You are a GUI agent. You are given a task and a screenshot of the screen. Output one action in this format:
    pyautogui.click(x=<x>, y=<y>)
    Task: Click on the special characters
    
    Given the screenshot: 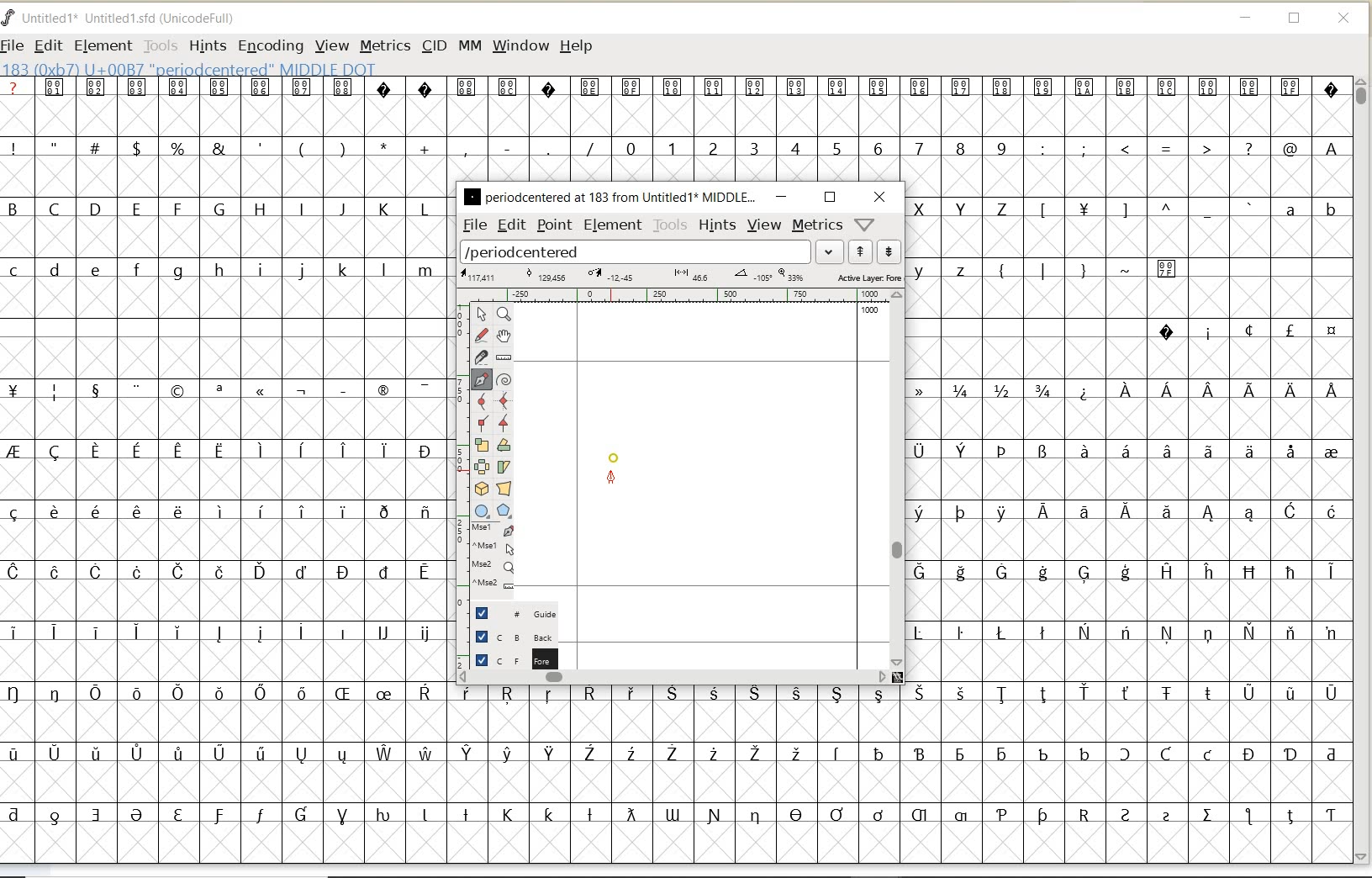 What is the action you would take?
    pyautogui.click(x=1193, y=149)
    